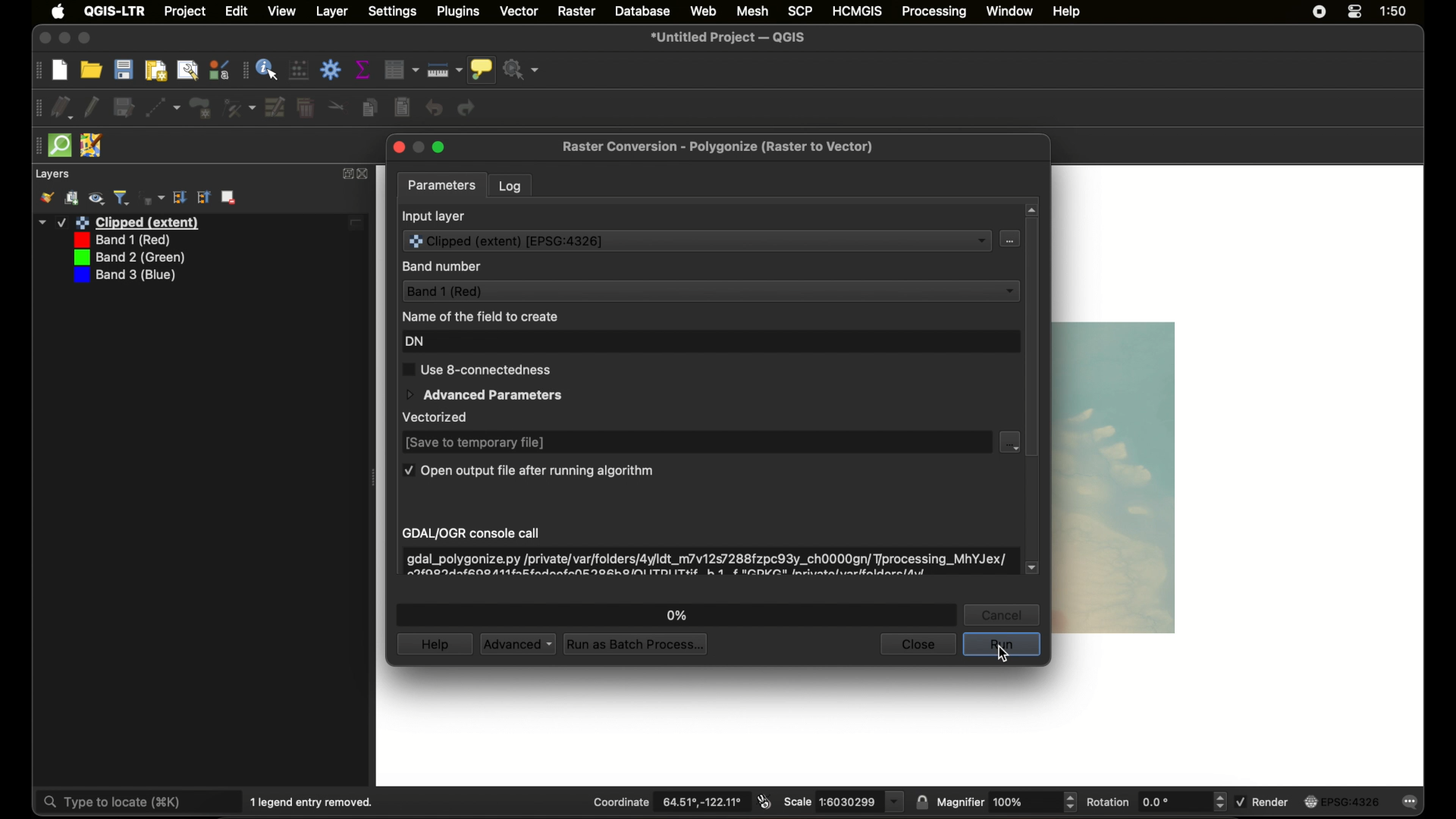 This screenshot has width=1456, height=819. What do you see at coordinates (1263, 801) in the screenshot?
I see `render` at bounding box center [1263, 801].